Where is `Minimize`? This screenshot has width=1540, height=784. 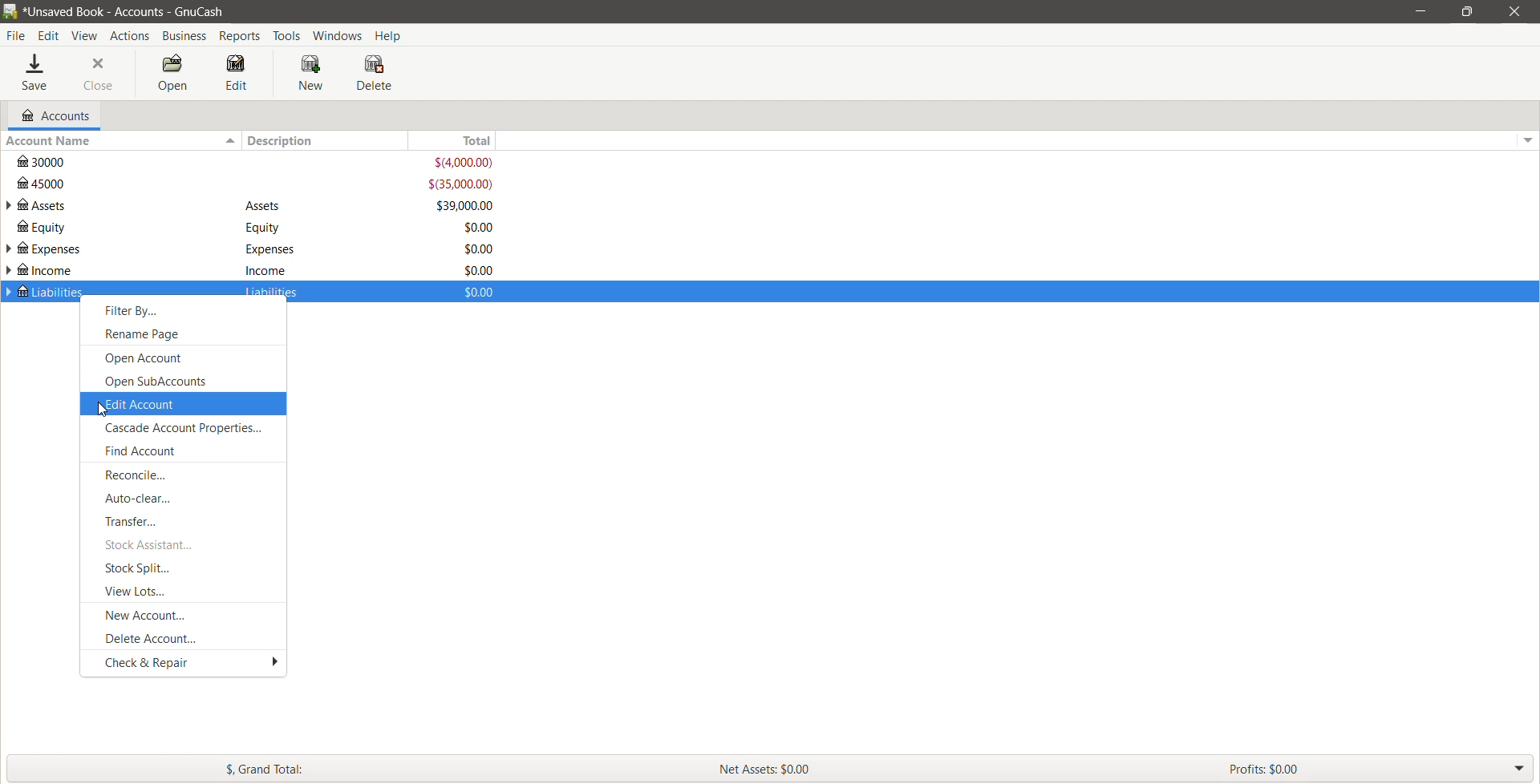 Minimize is located at coordinates (1421, 10).